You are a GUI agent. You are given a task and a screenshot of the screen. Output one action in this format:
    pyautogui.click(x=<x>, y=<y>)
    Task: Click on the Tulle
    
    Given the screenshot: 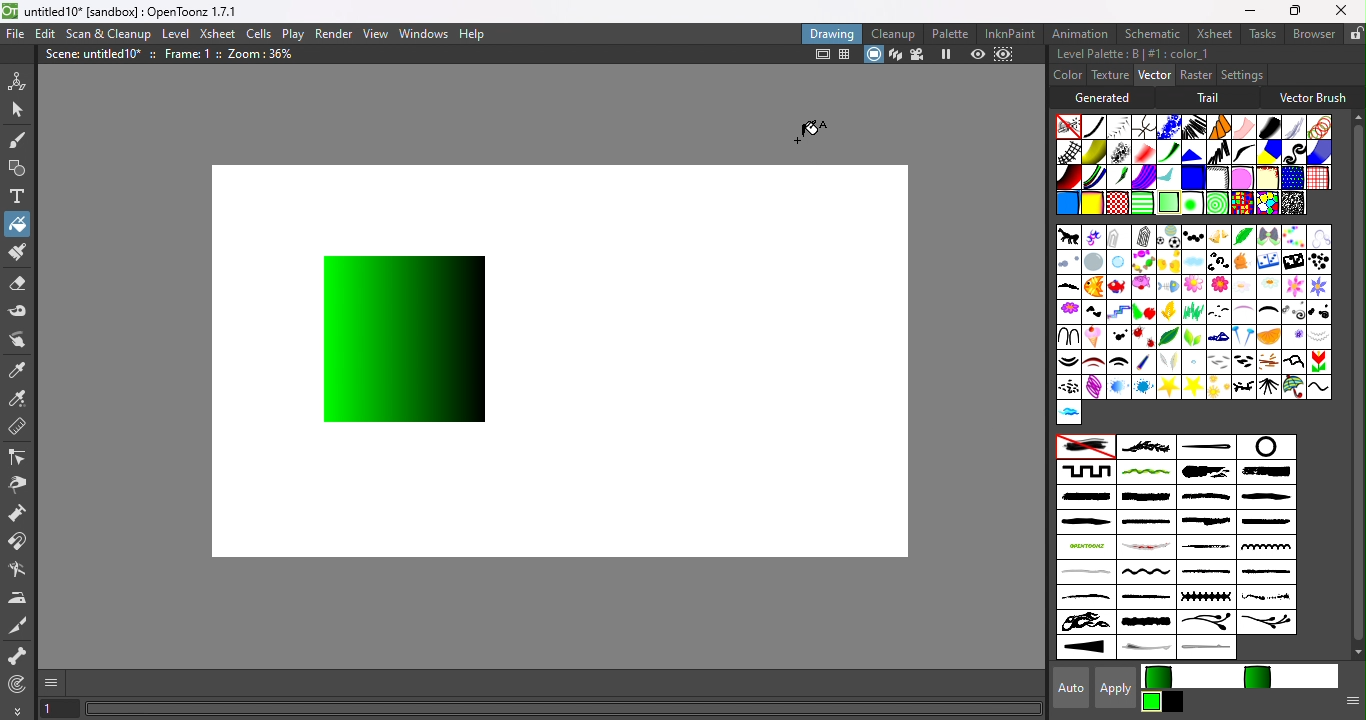 What is the action you would take?
    pyautogui.click(x=1244, y=127)
    